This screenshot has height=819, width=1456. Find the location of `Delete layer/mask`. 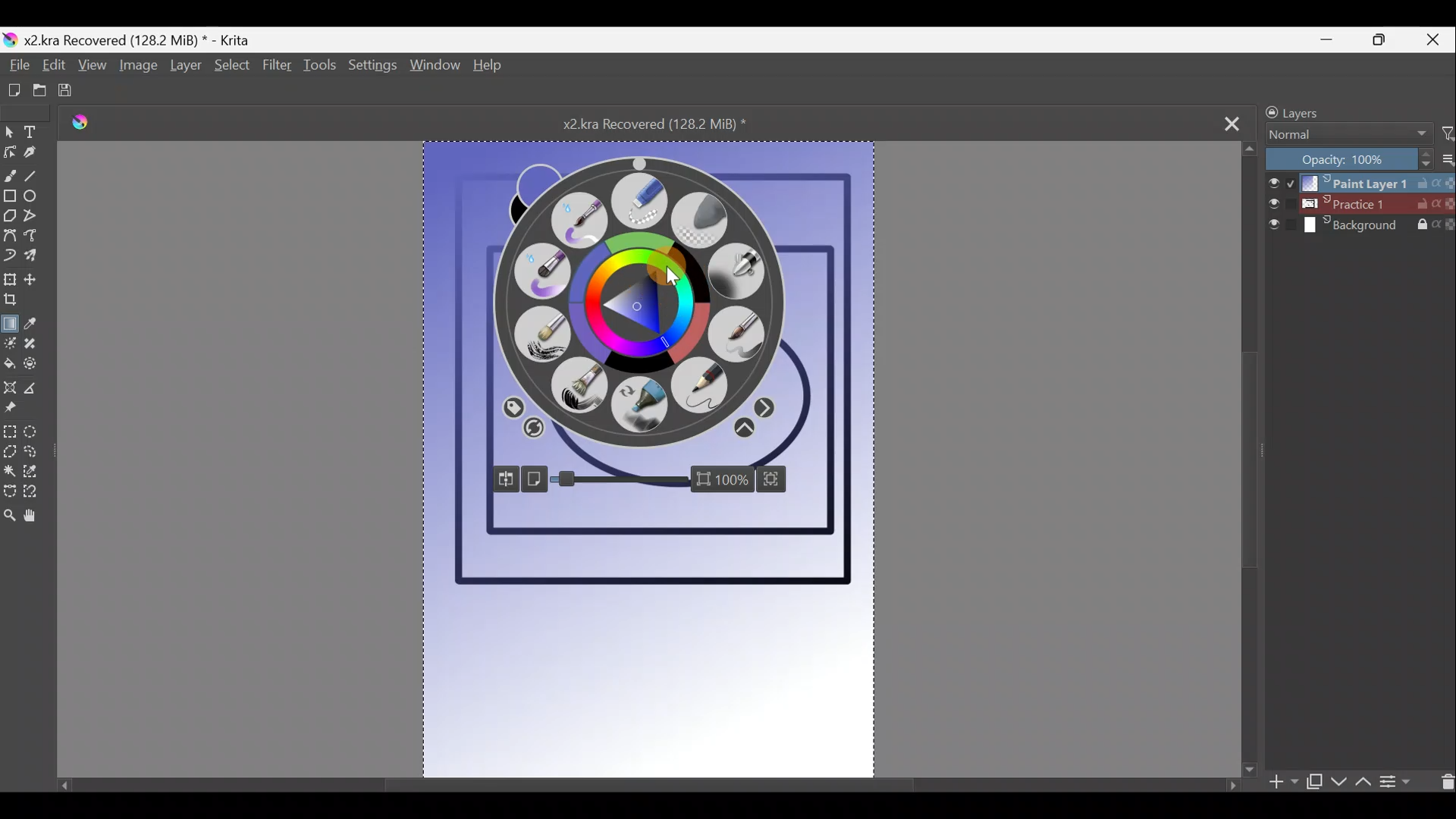

Delete layer/mask is located at coordinates (1443, 780).